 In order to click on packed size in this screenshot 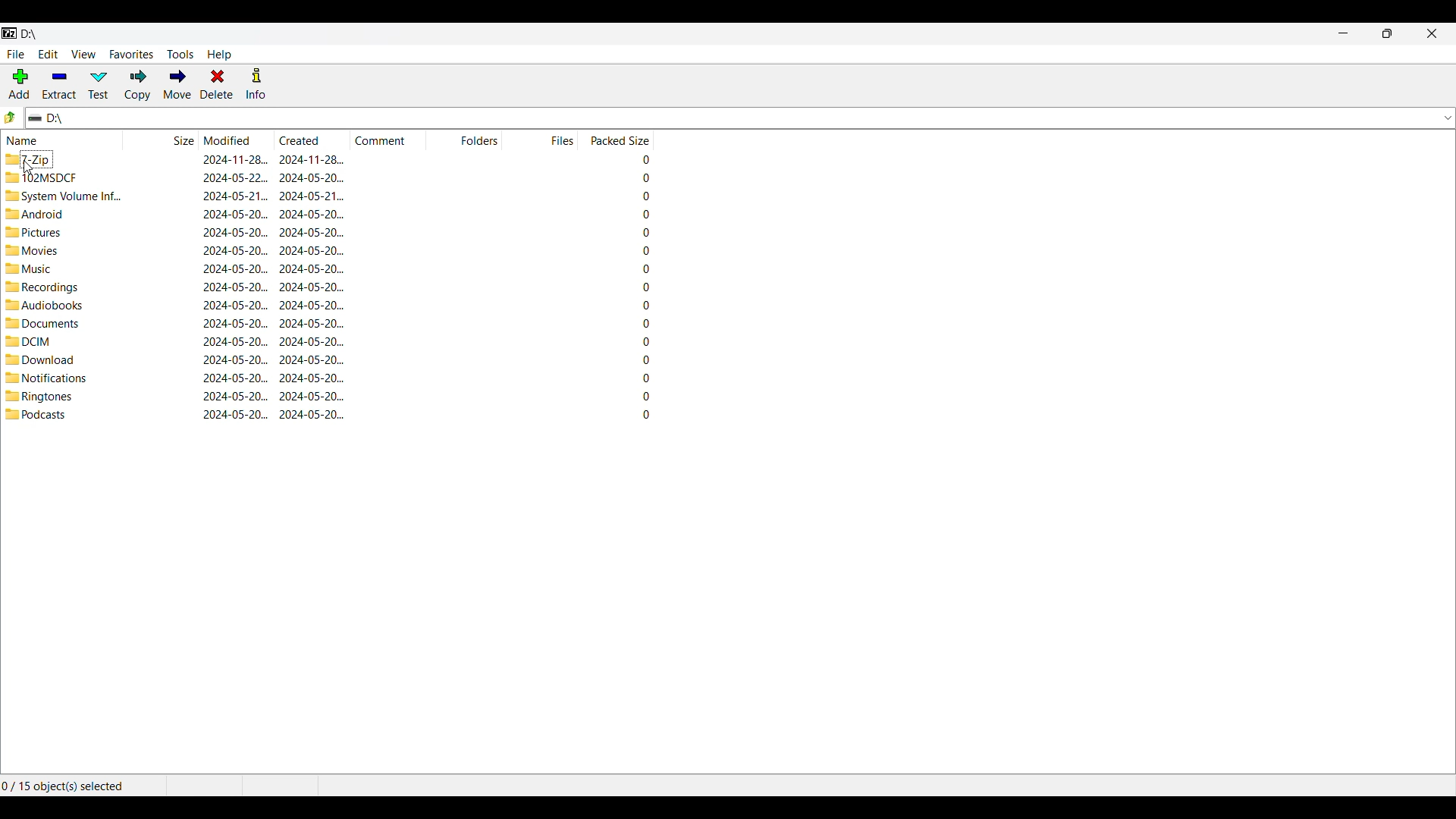, I will do `click(643, 378)`.